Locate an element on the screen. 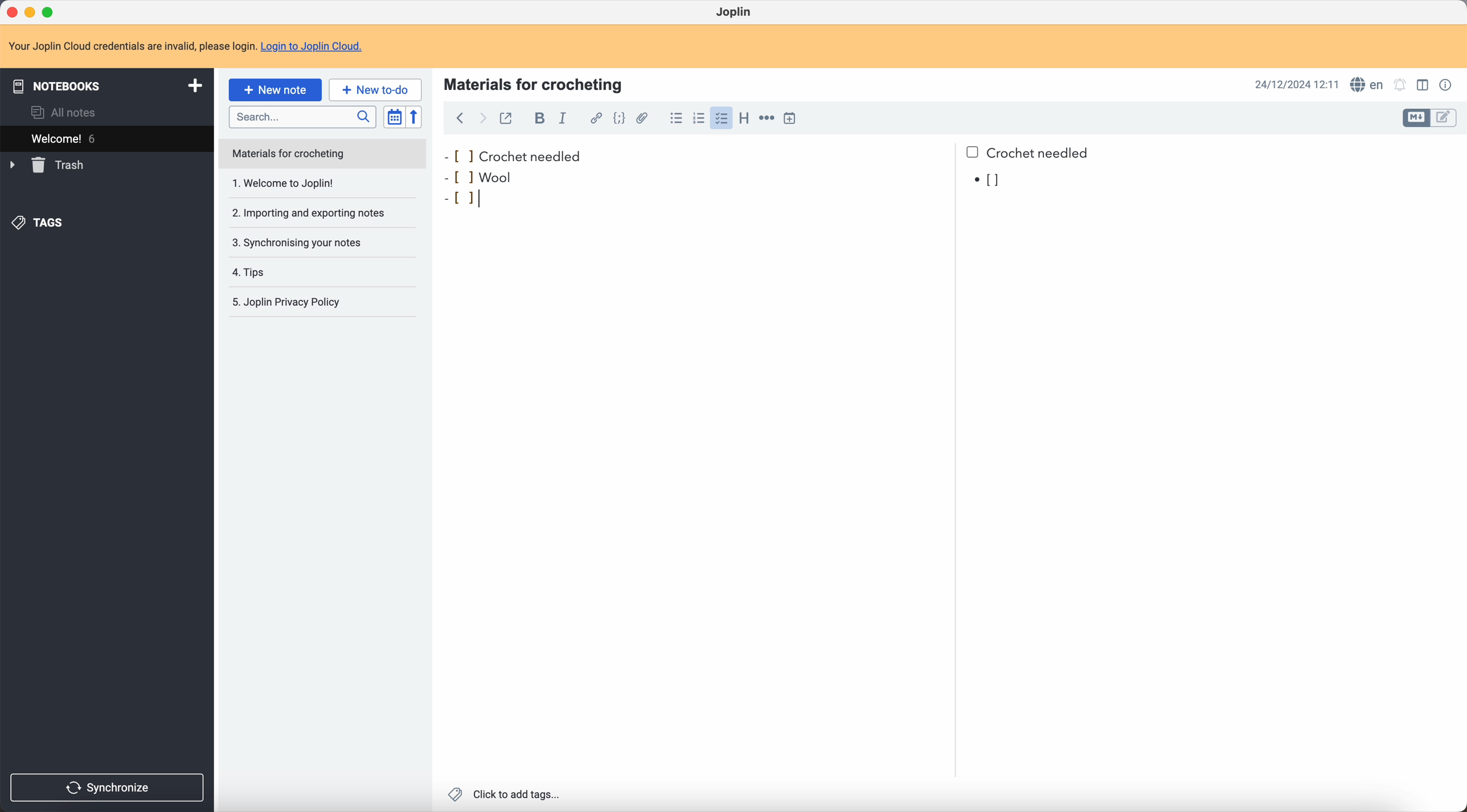  toggle edit layout is located at coordinates (1424, 84).